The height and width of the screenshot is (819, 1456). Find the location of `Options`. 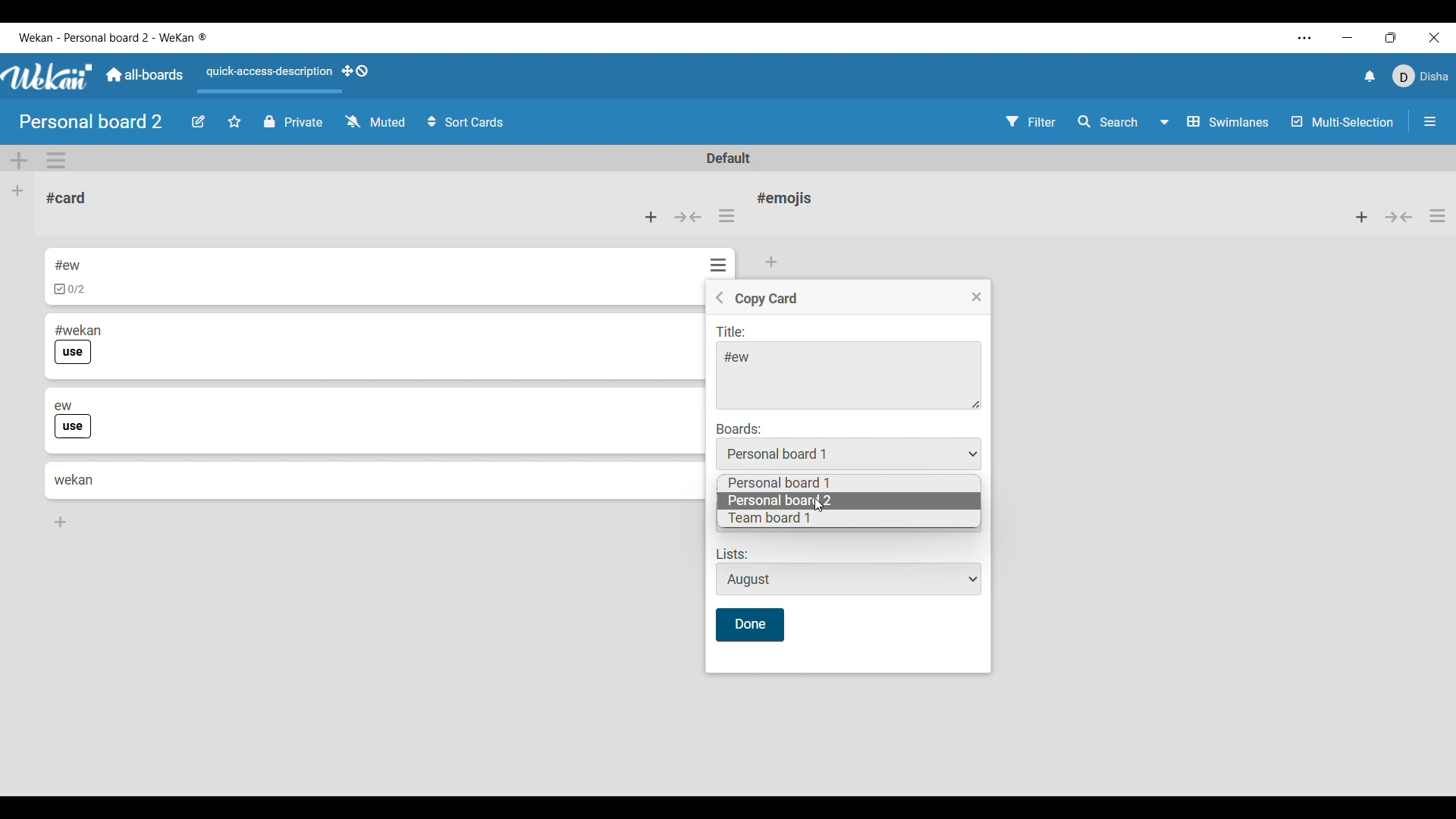

Options is located at coordinates (720, 263).